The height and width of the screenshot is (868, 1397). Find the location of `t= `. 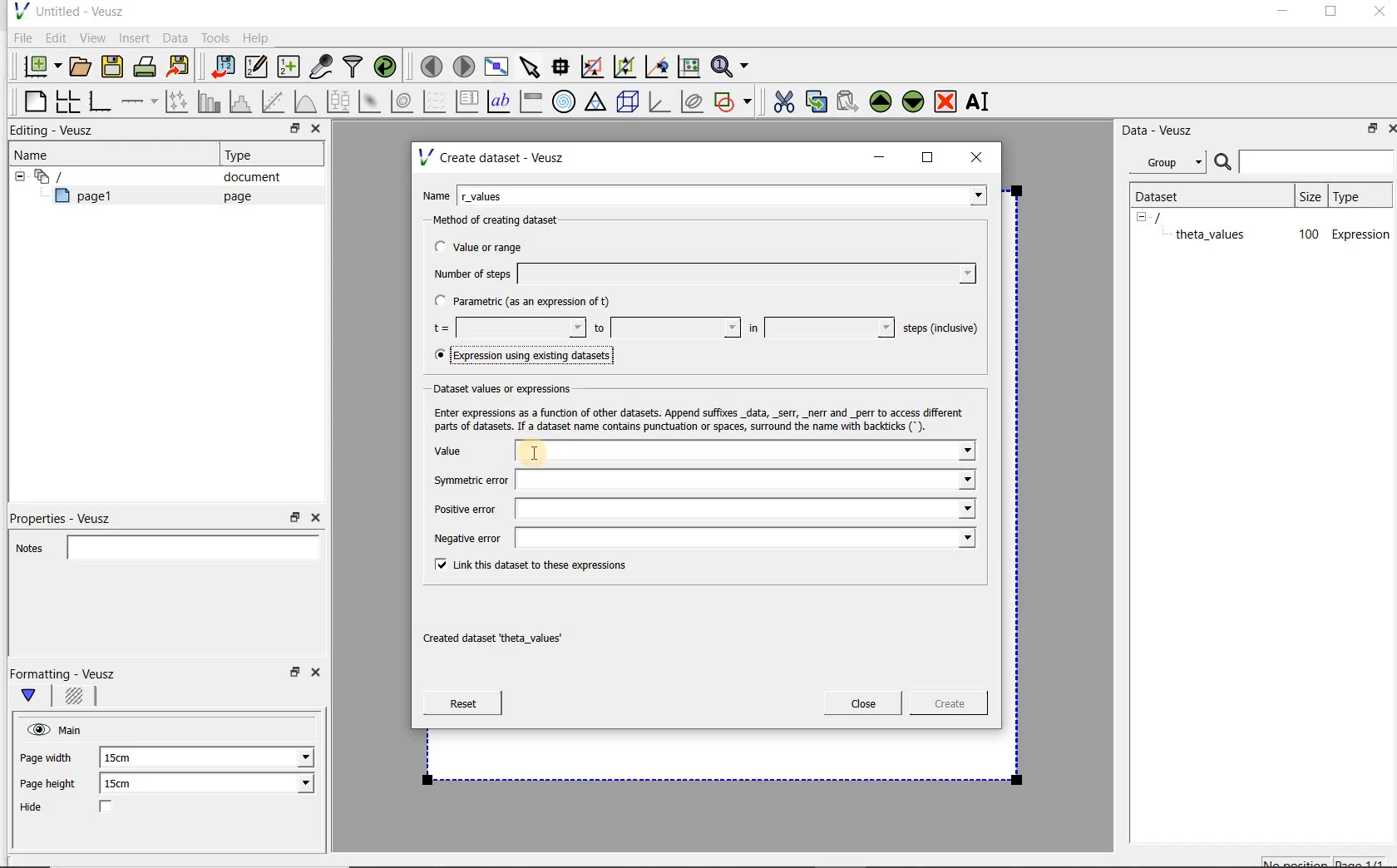

t=  is located at coordinates (506, 328).